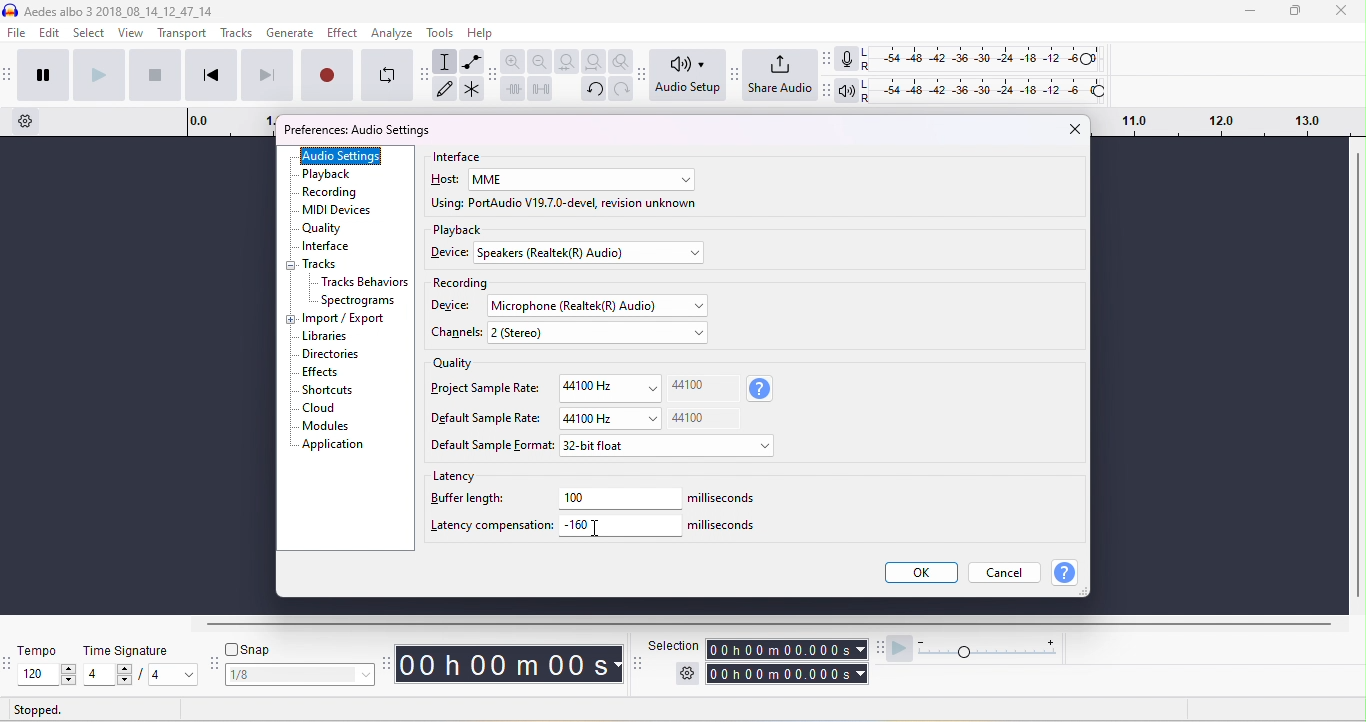  Describe the element at coordinates (900, 650) in the screenshot. I see `play at speed/ play at speed once` at that location.